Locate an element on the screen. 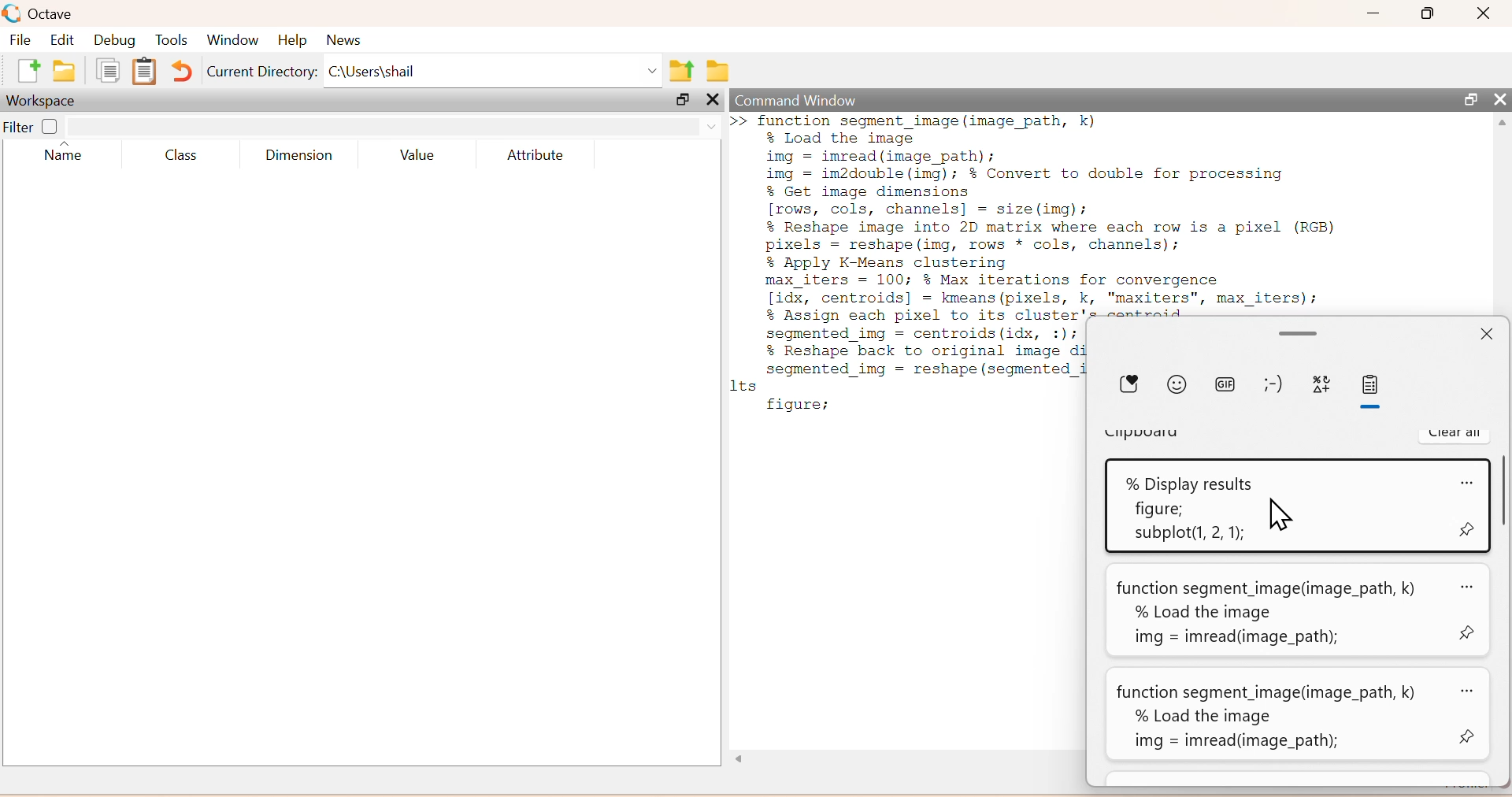  emoji is located at coordinates (1179, 385).